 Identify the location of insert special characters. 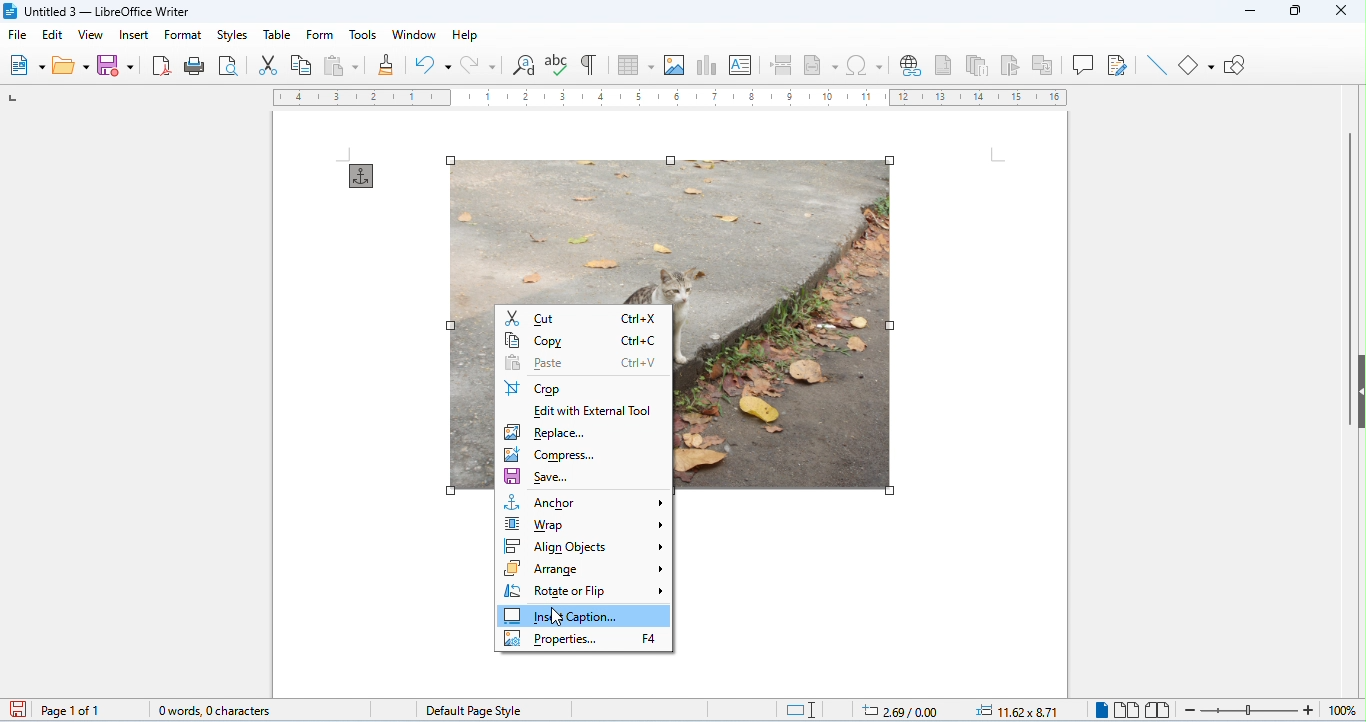
(866, 65).